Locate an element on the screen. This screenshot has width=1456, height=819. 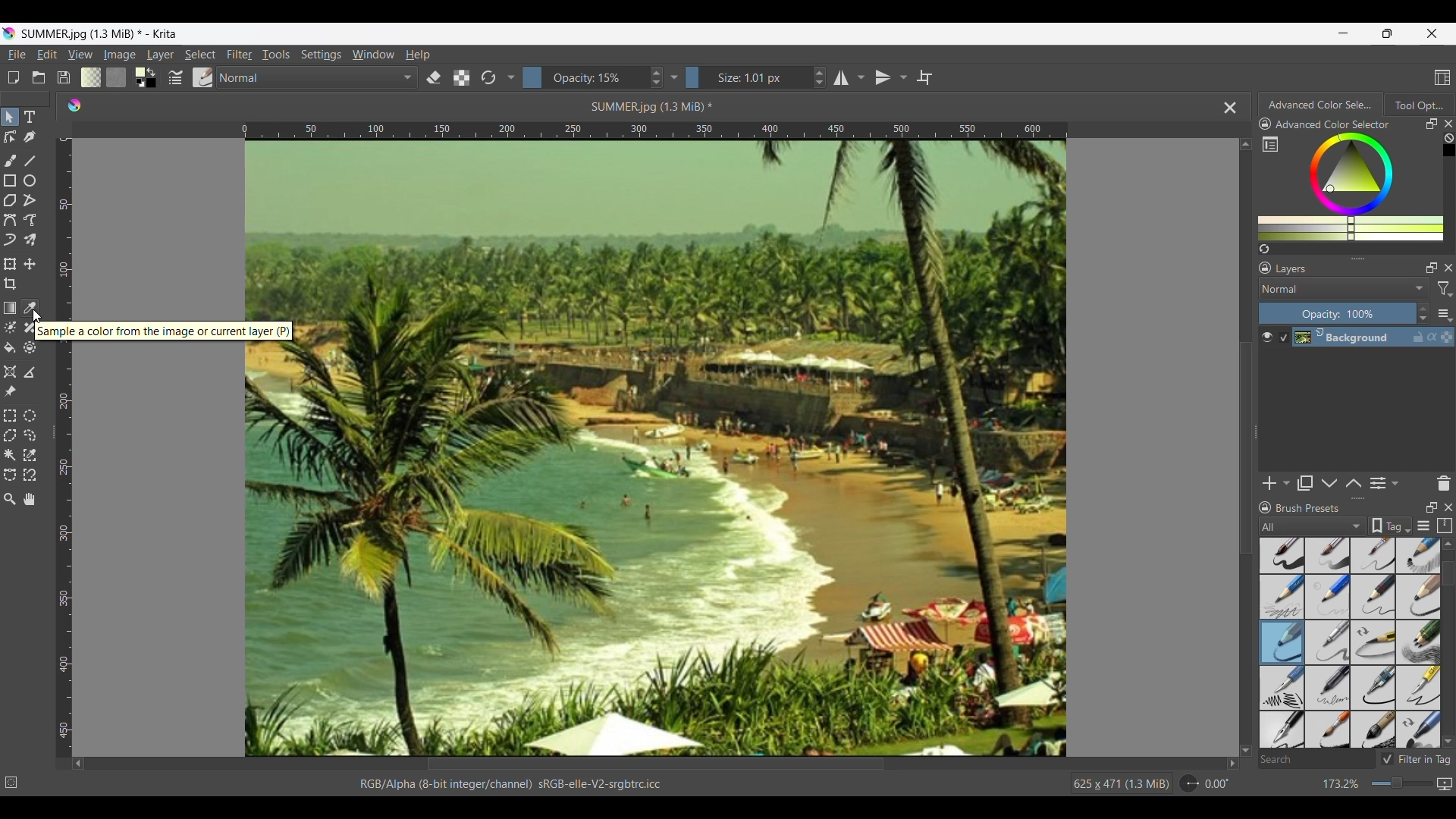
Increase/Decrease size is located at coordinates (820, 77).